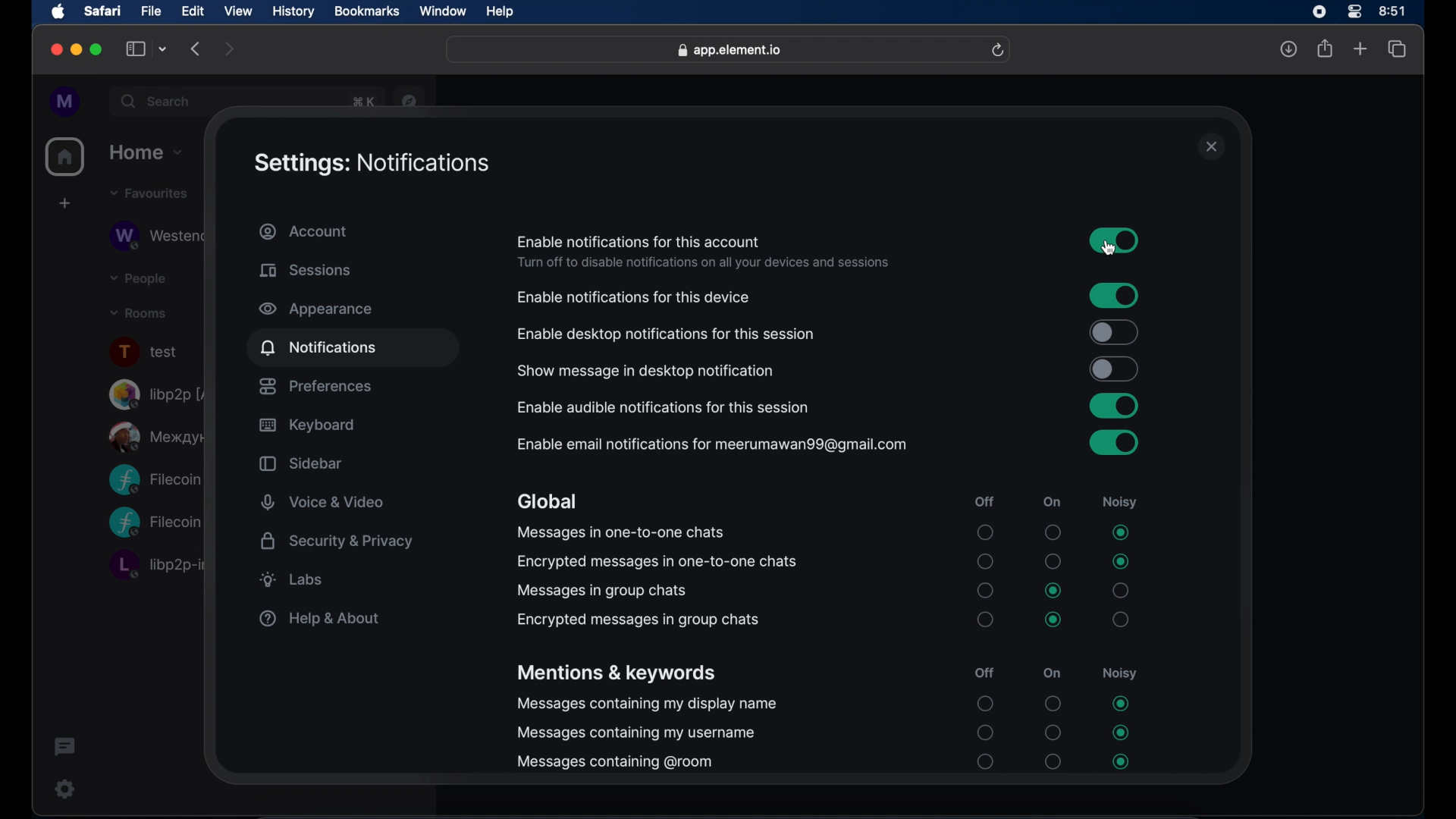 This screenshot has width=1456, height=819. Describe the element at coordinates (306, 425) in the screenshot. I see `keyboard` at that location.